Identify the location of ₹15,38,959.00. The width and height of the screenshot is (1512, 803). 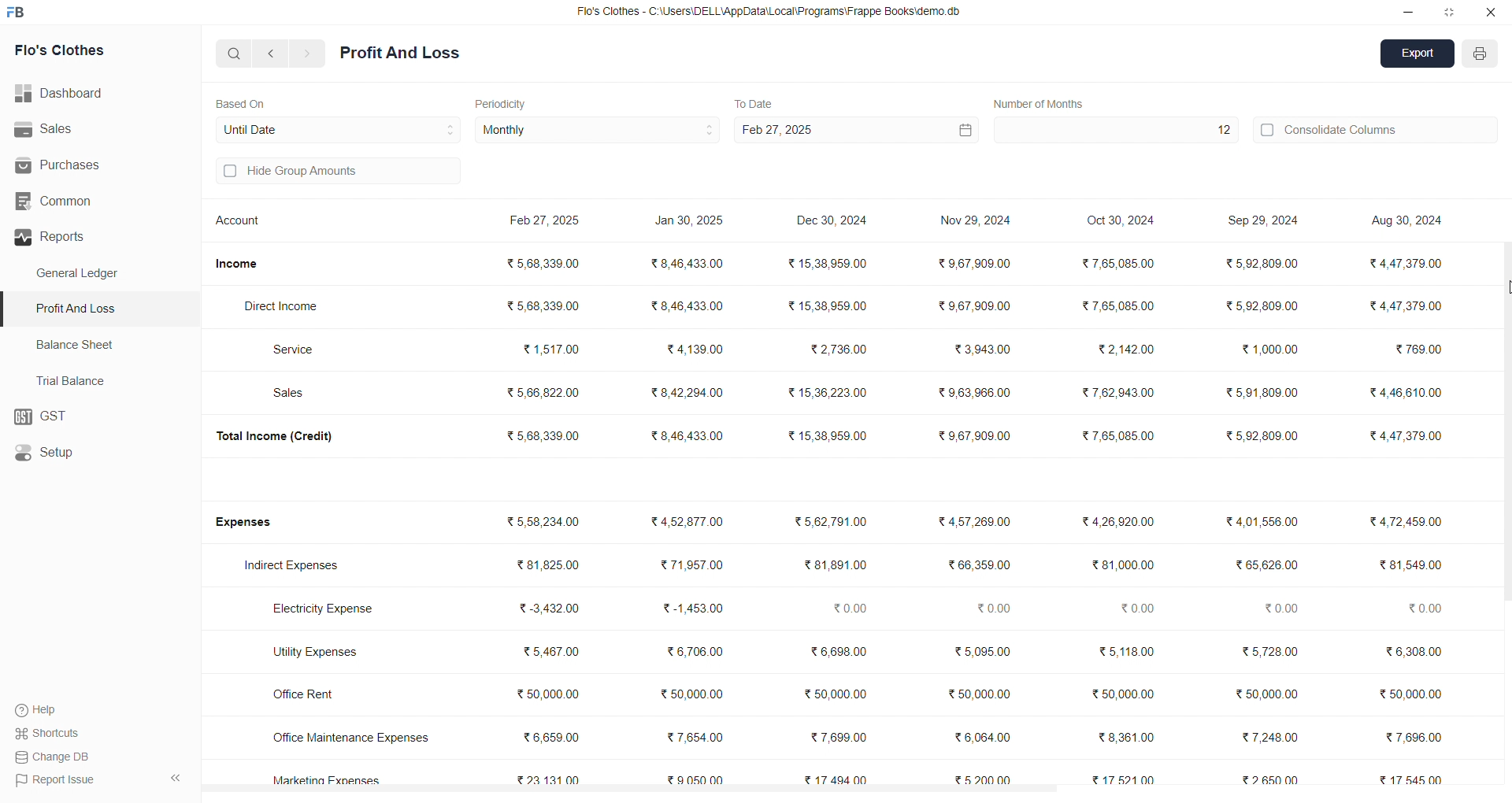
(837, 306).